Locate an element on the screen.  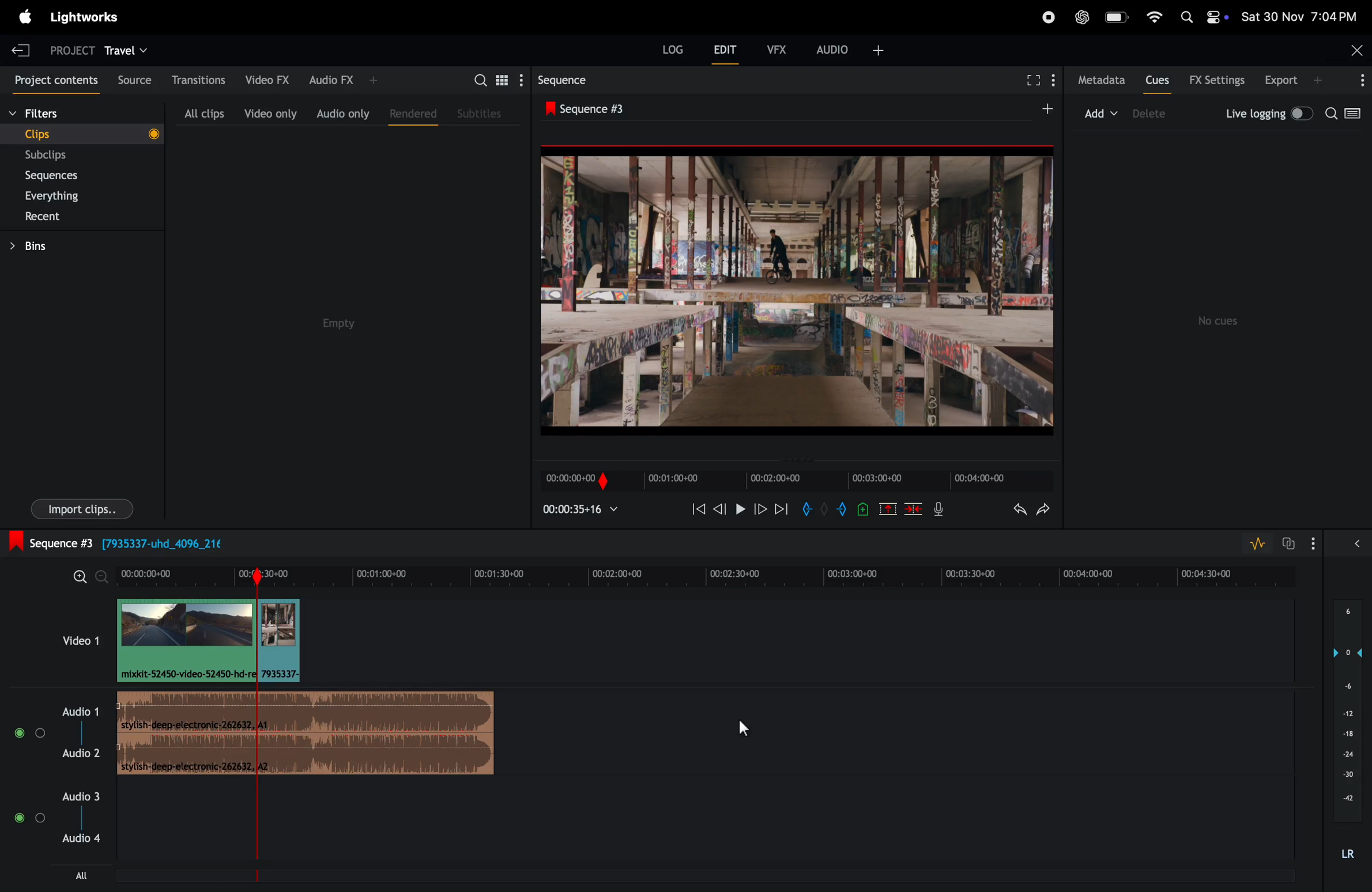
export + is located at coordinates (1295, 81).